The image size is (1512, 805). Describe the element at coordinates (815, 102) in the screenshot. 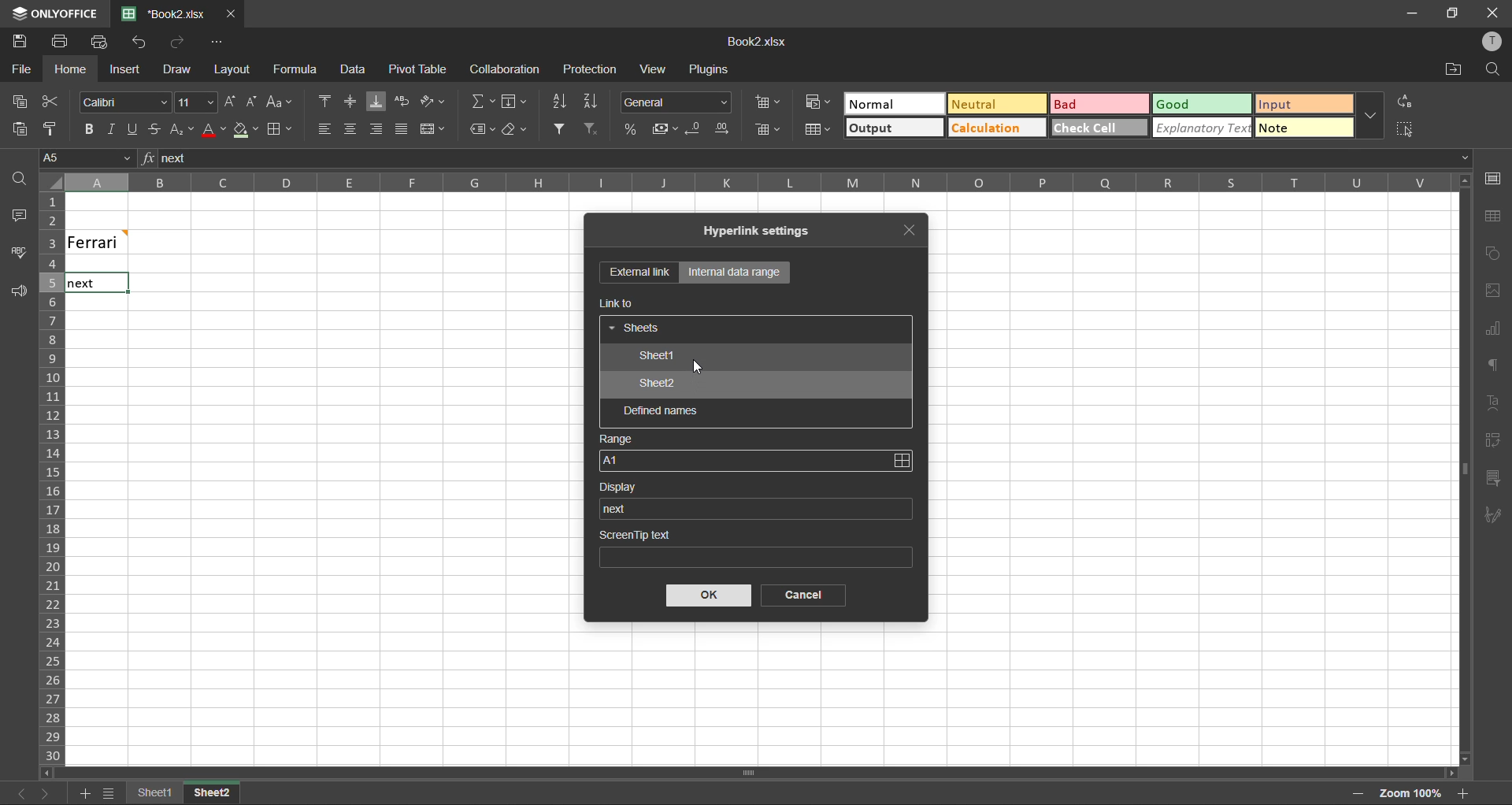

I see `conditional formatting` at that location.